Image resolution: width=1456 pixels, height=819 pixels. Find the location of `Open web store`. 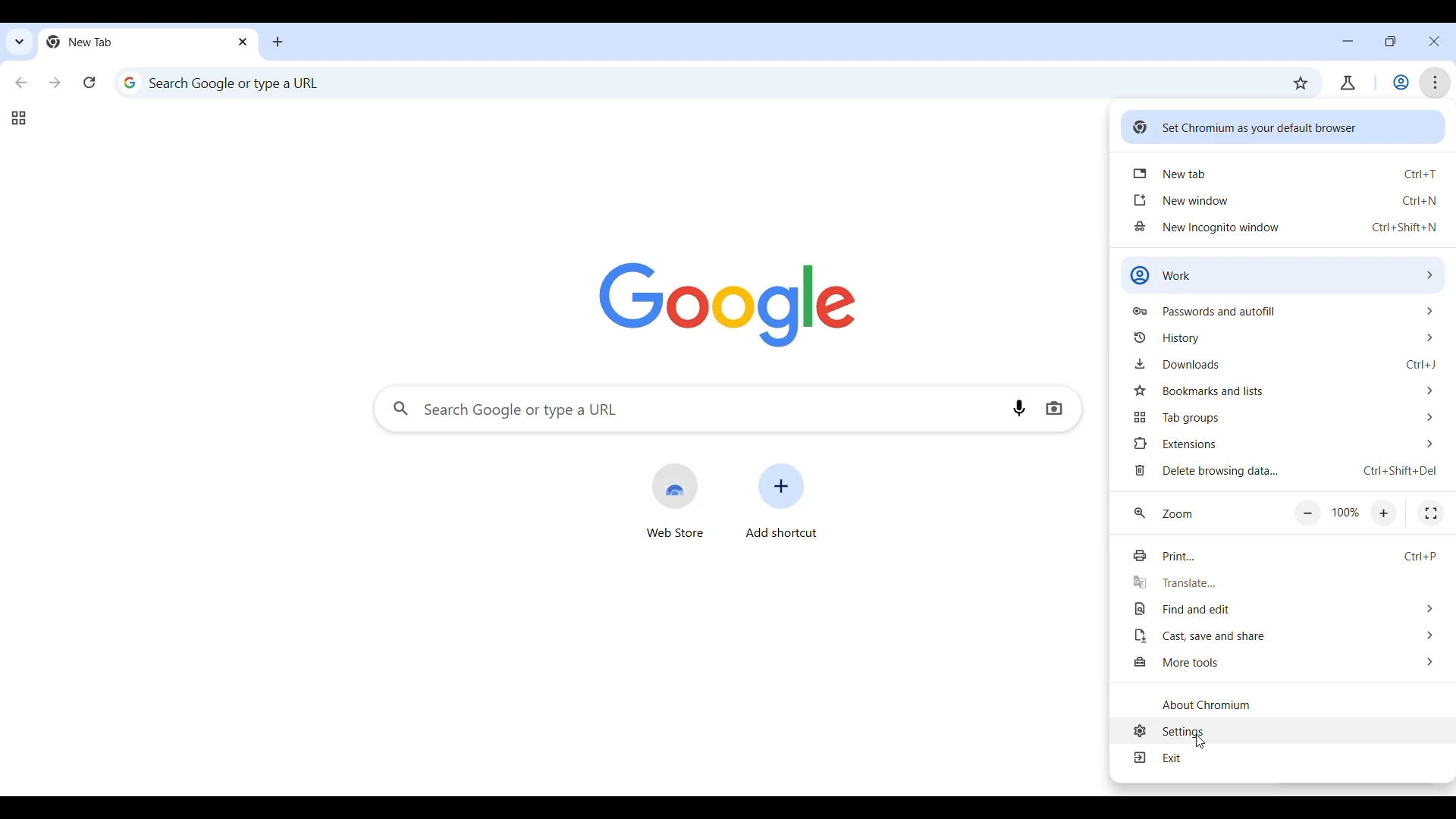

Open web store is located at coordinates (675, 501).